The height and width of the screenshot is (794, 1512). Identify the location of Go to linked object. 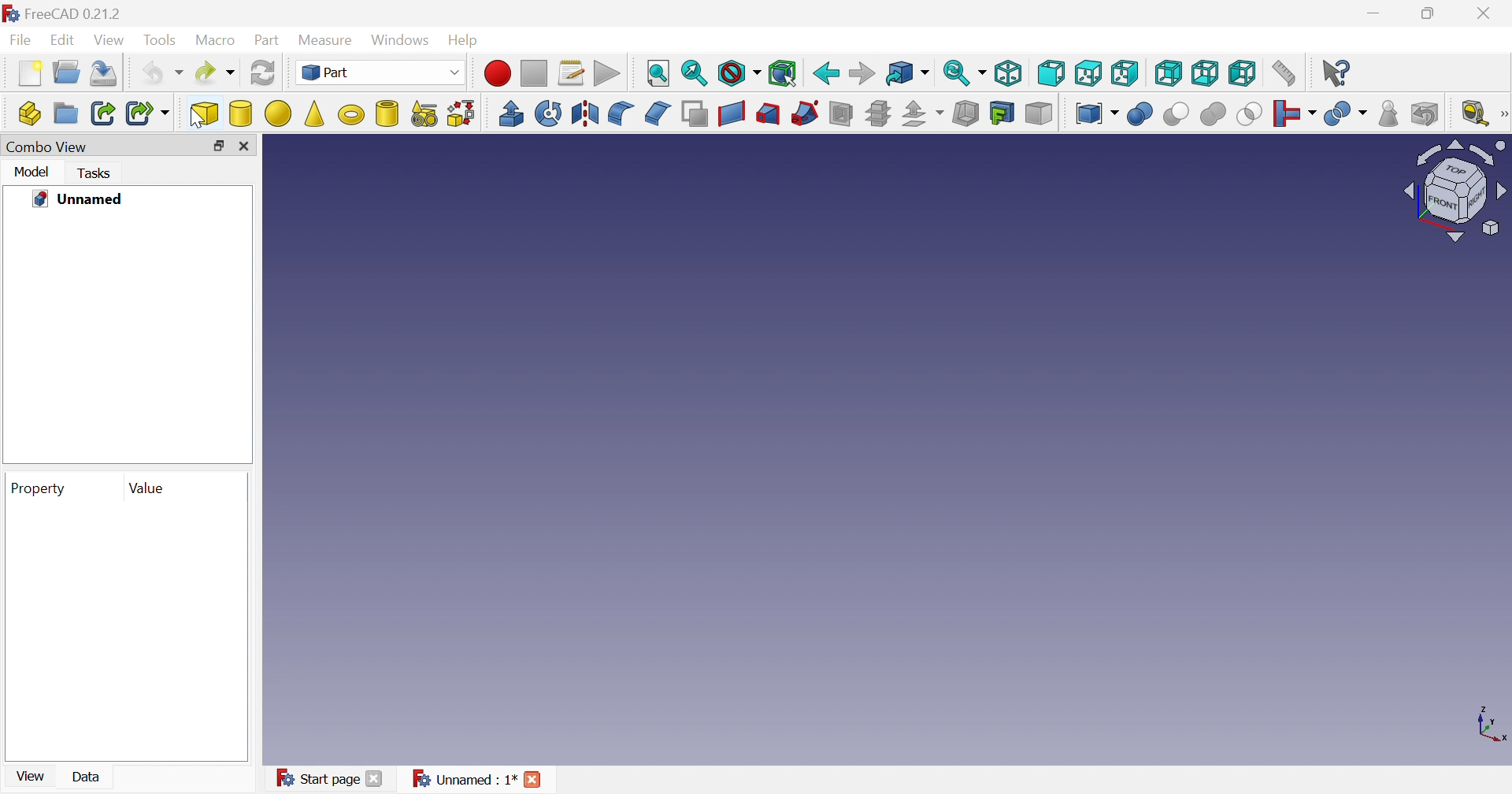
(906, 75).